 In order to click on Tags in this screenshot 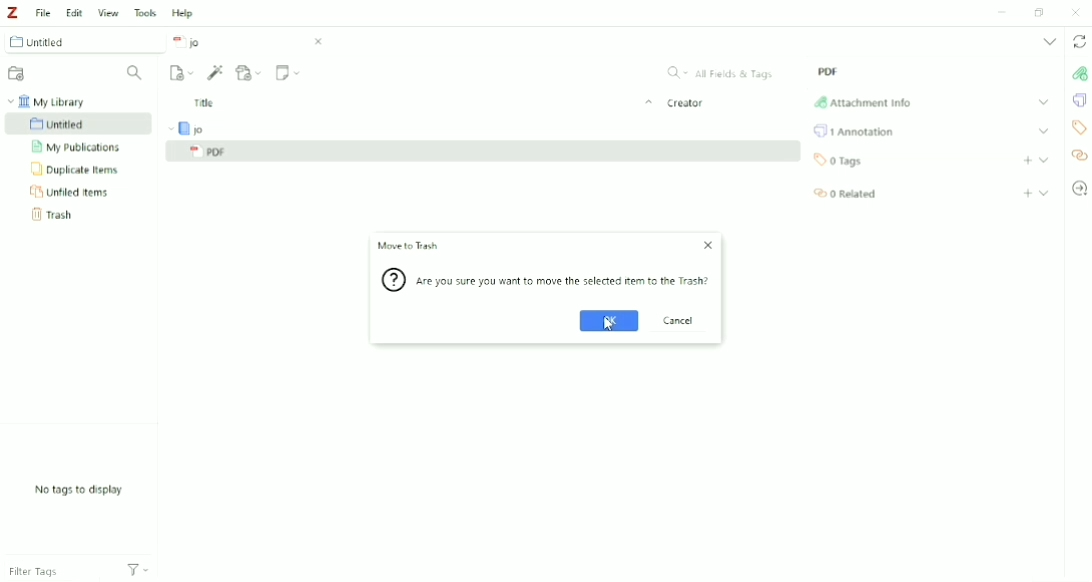, I will do `click(838, 161)`.